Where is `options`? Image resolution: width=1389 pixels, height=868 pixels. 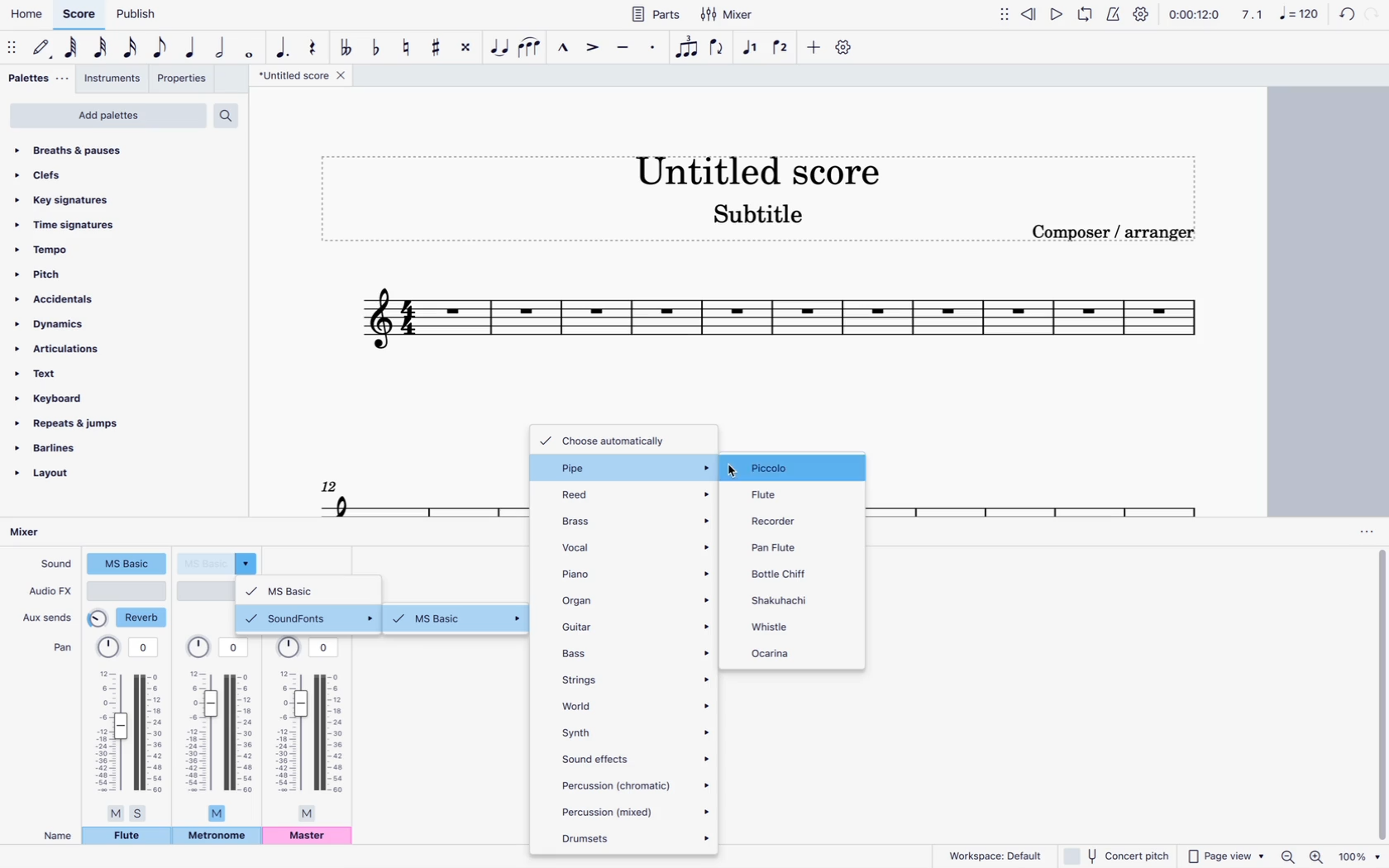 options is located at coordinates (1360, 532).